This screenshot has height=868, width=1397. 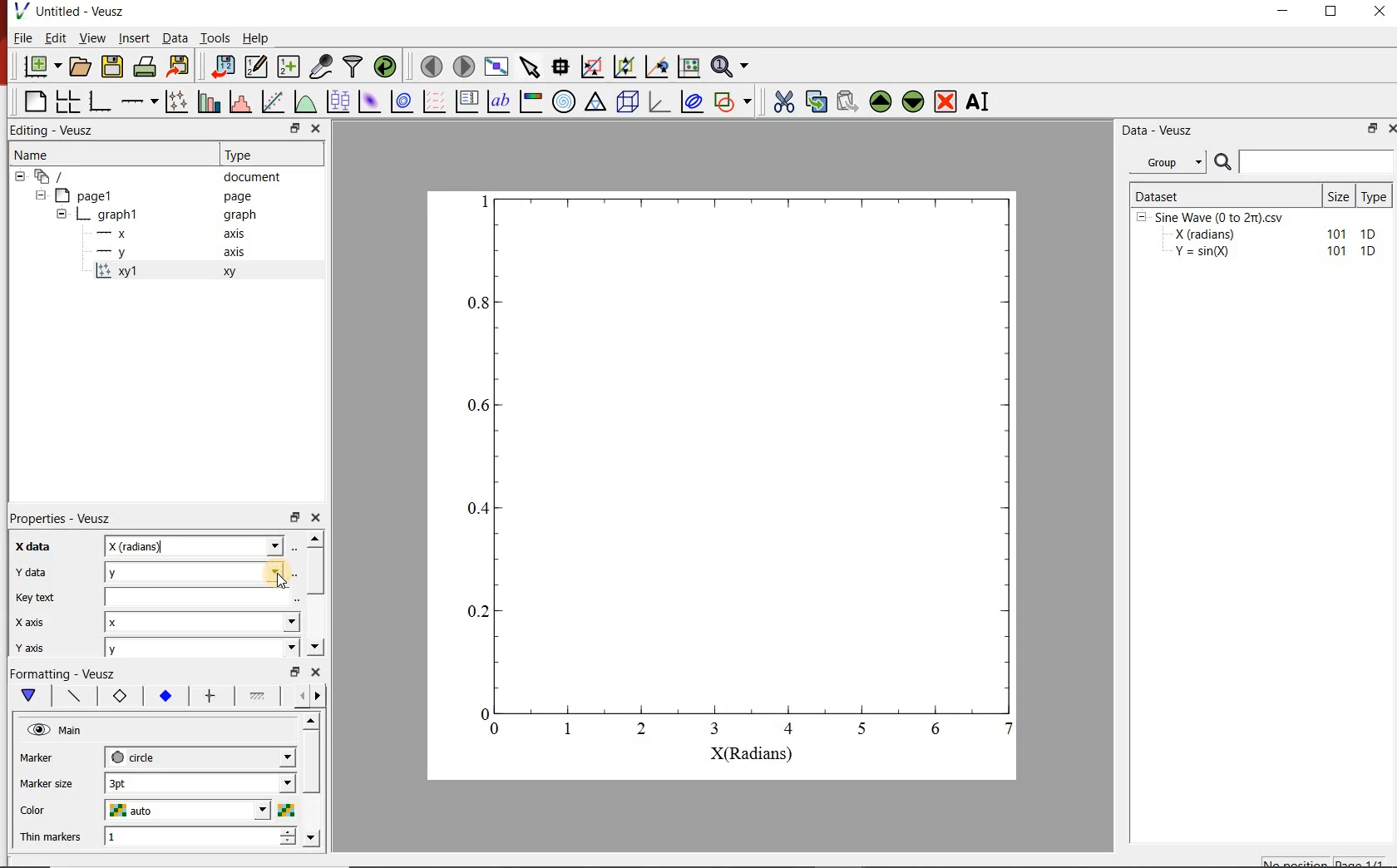 What do you see at coordinates (21, 10) in the screenshot?
I see `Logo` at bounding box center [21, 10].